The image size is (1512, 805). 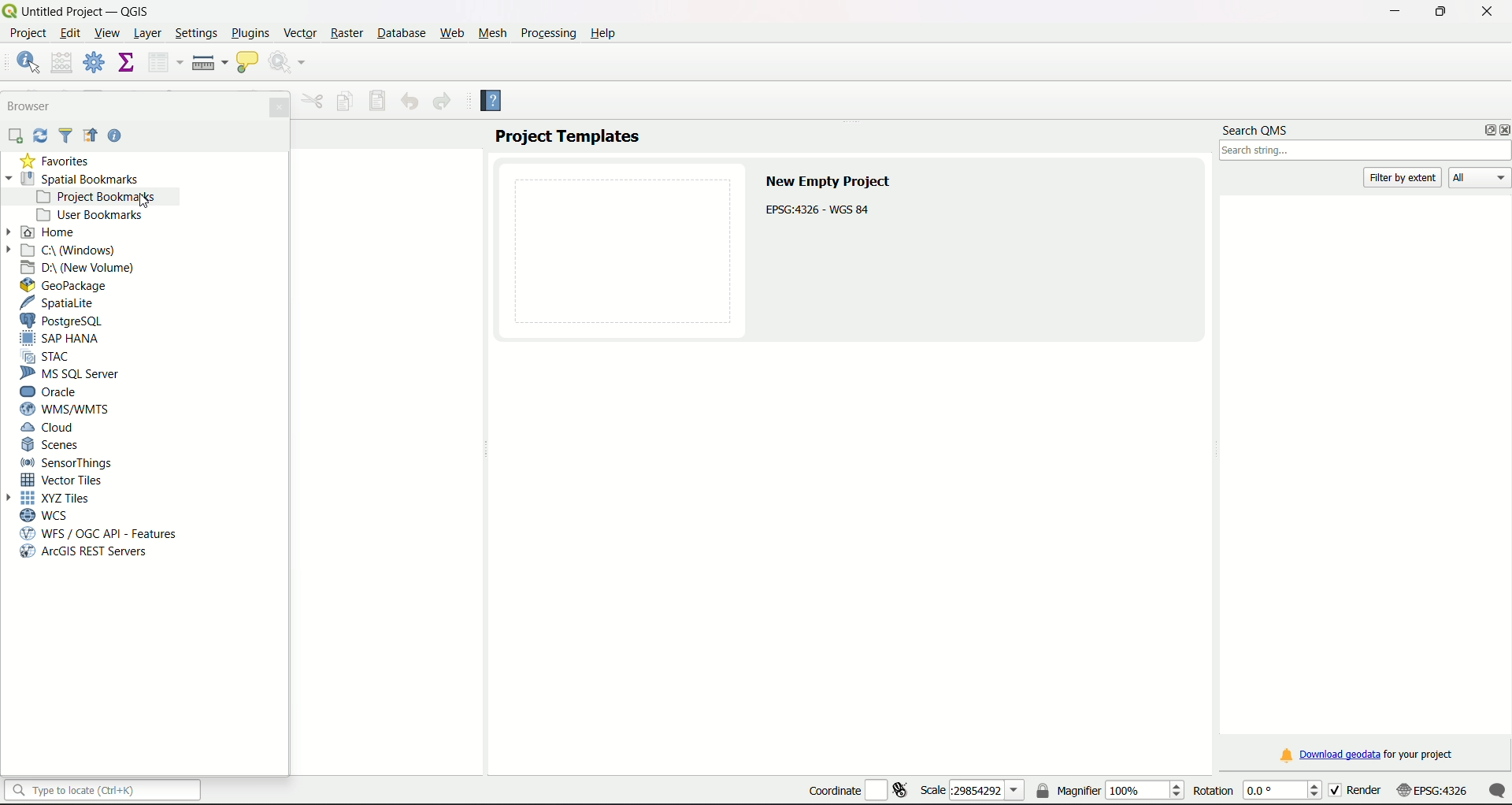 What do you see at coordinates (50, 232) in the screenshot?
I see `Home` at bounding box center [50, 232].